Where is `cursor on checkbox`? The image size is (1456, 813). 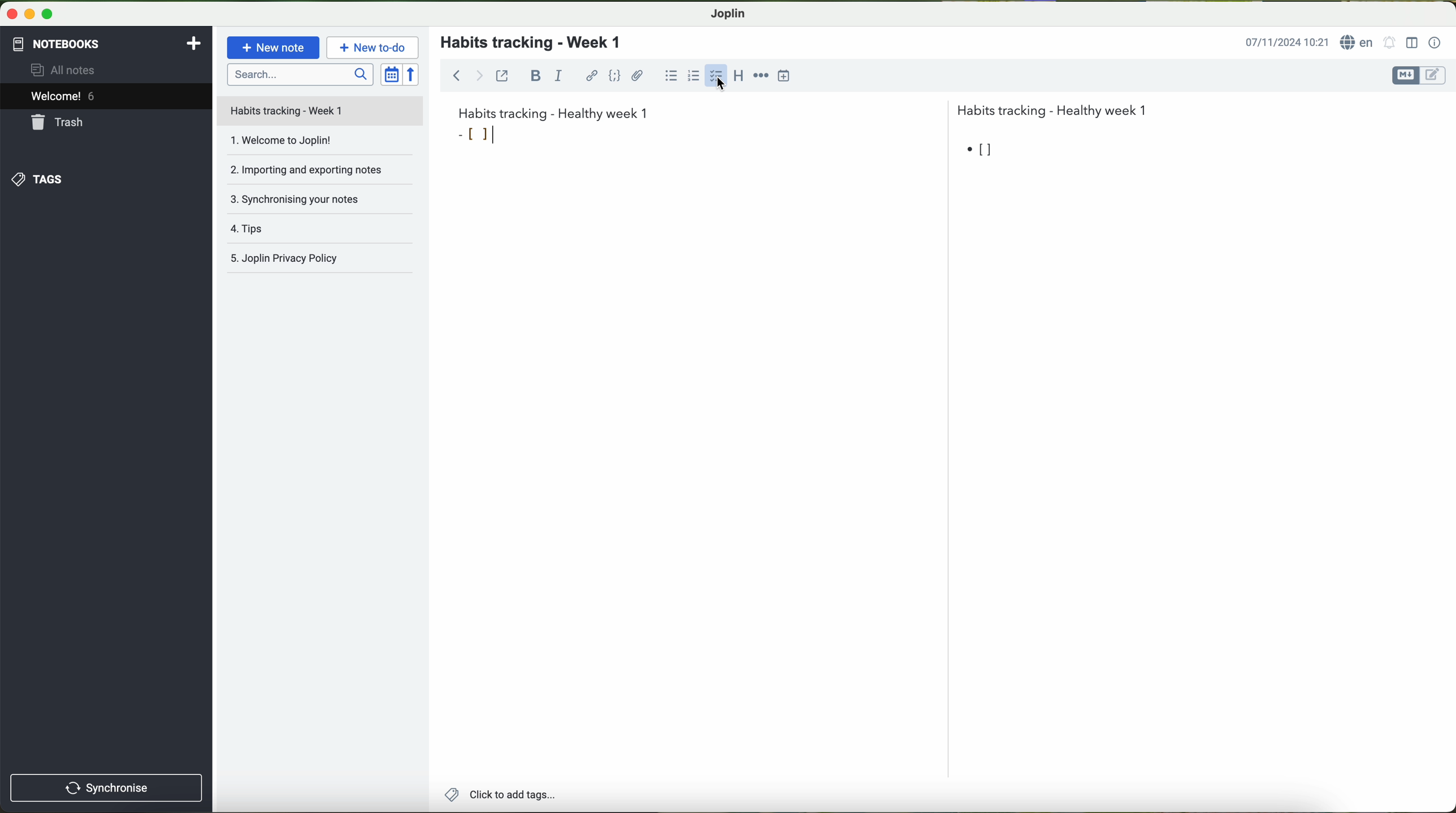 cursor on checkbox is located at coordinates (717, 79).